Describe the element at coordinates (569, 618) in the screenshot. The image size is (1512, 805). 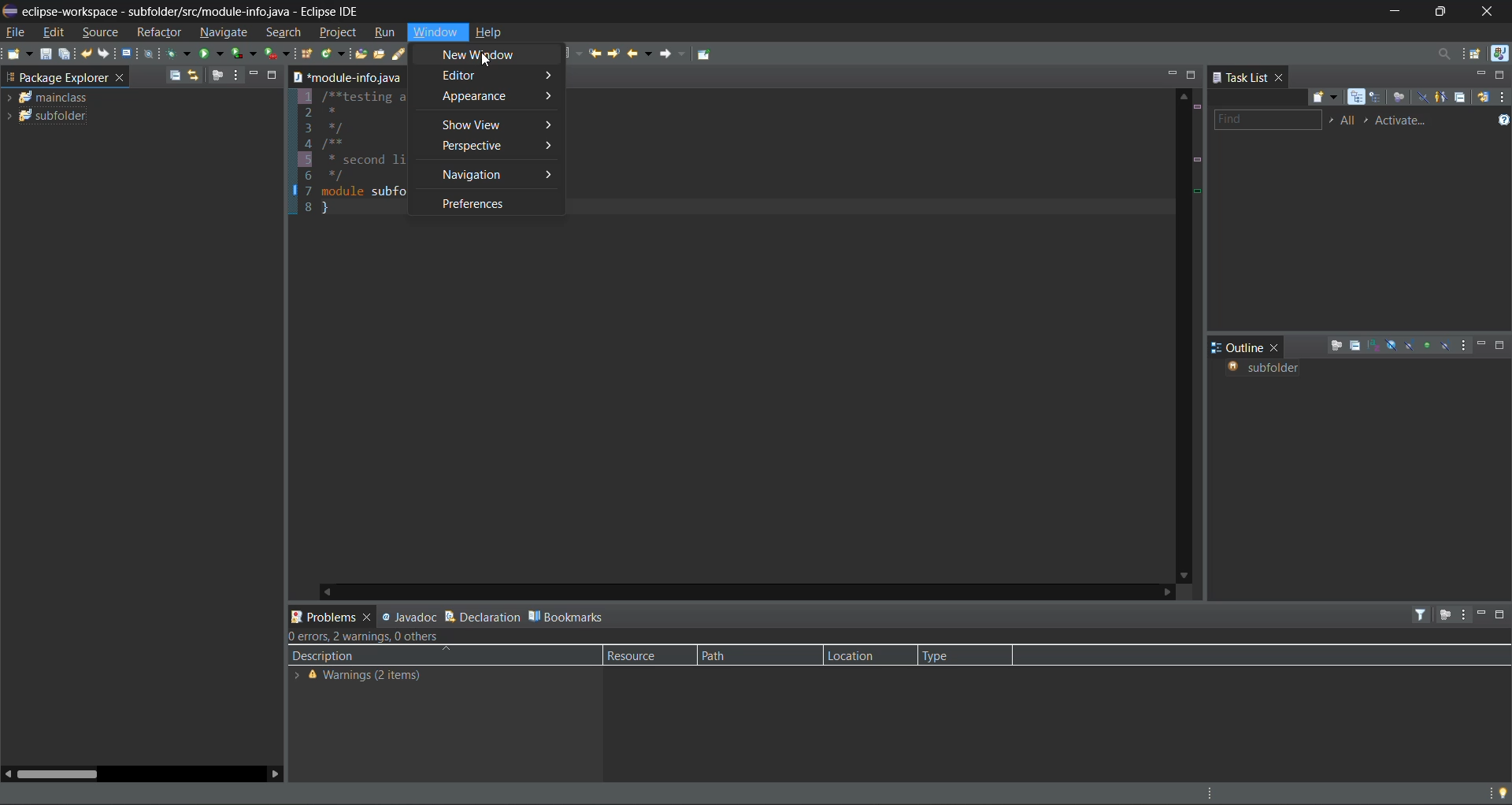
I see `bookmarks` at that location.